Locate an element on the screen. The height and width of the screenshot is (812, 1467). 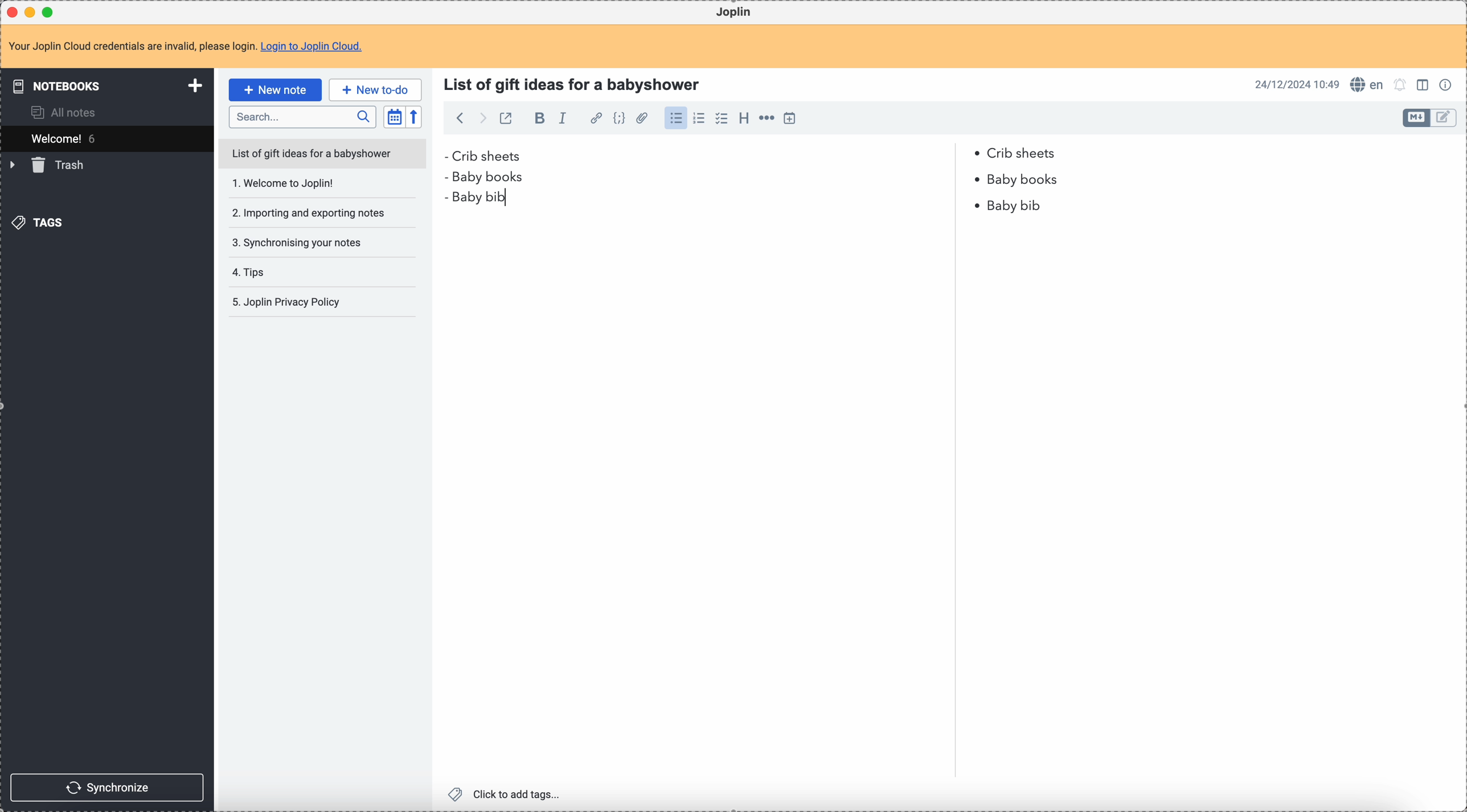
welcome is located at coordinates (106, 138).